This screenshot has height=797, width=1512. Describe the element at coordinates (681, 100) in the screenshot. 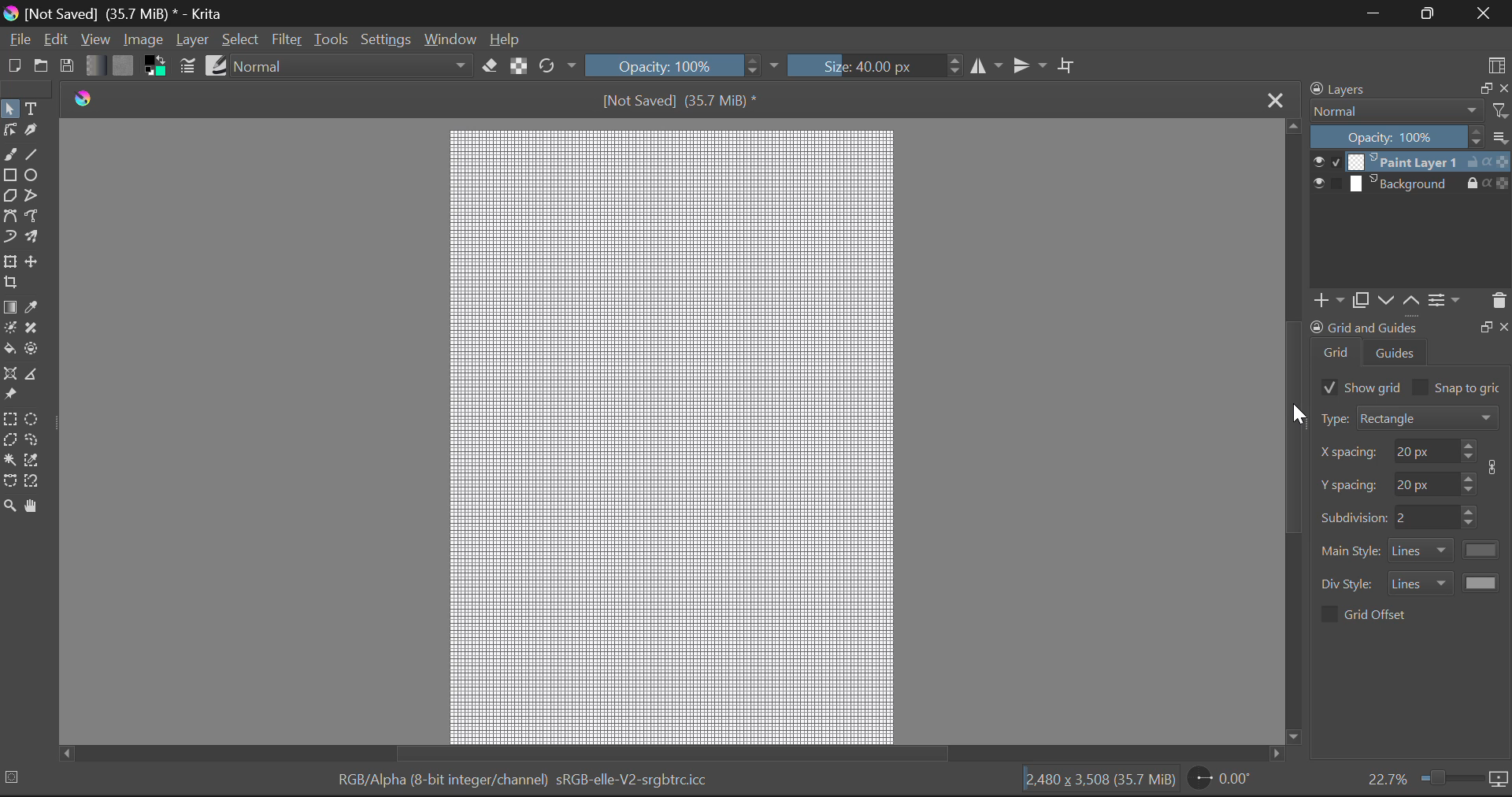

I see `[Not Saved] (35.7 MiB) *` at that location.